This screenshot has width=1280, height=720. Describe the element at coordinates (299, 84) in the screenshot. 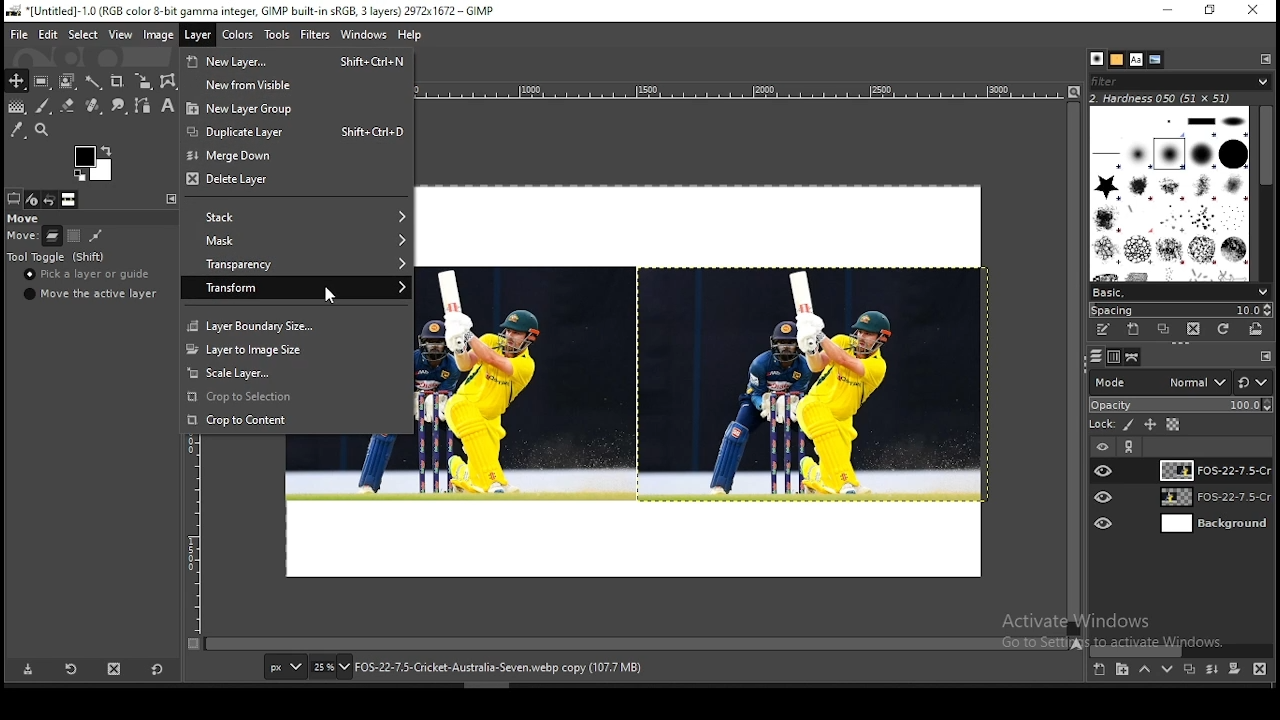

I see `new from visible` at that location.